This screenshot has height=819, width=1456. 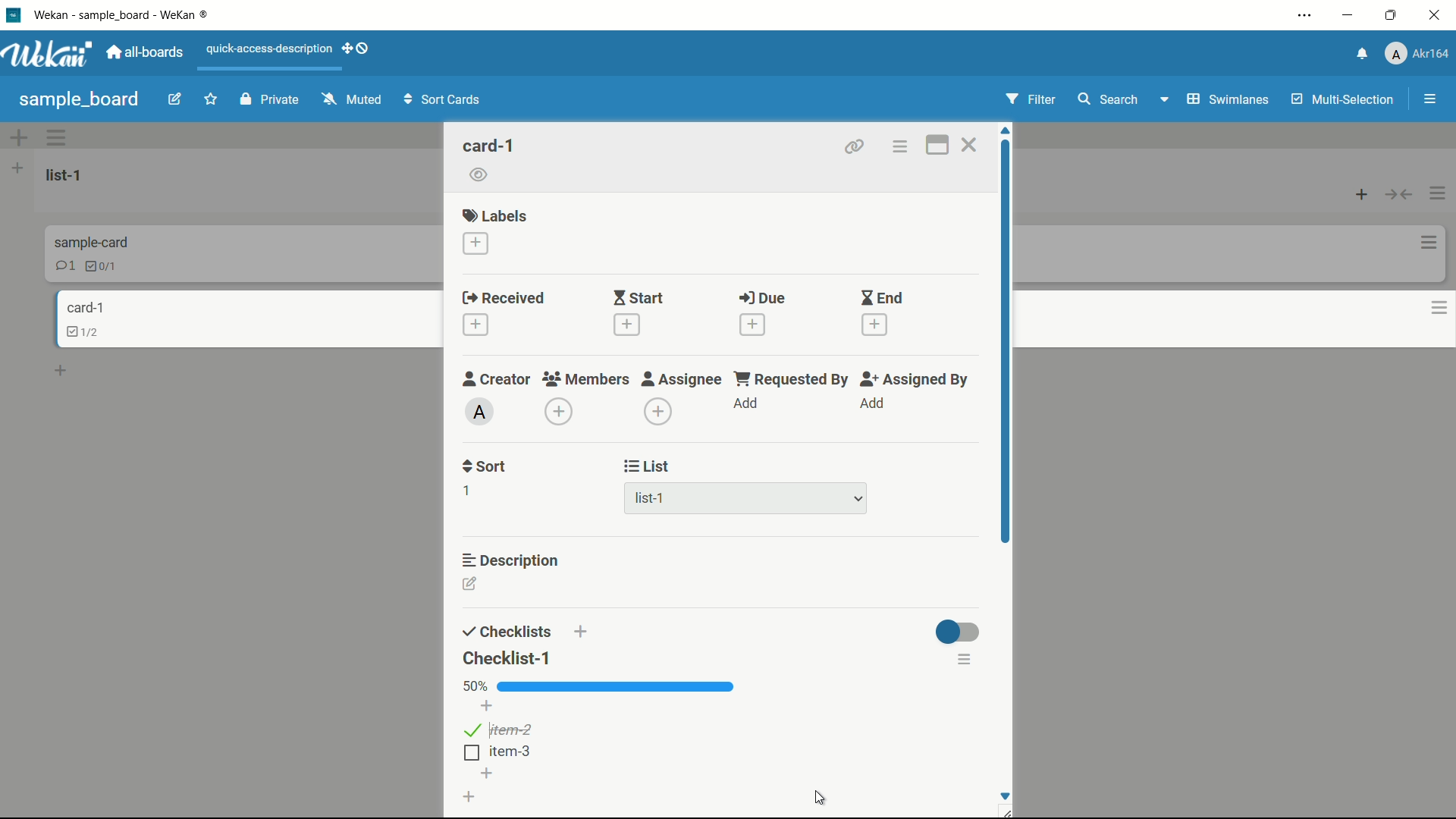 What do you see at coordinates (475, 243) in the screenshot?
I see `add label` at bounding box center [475, 243].